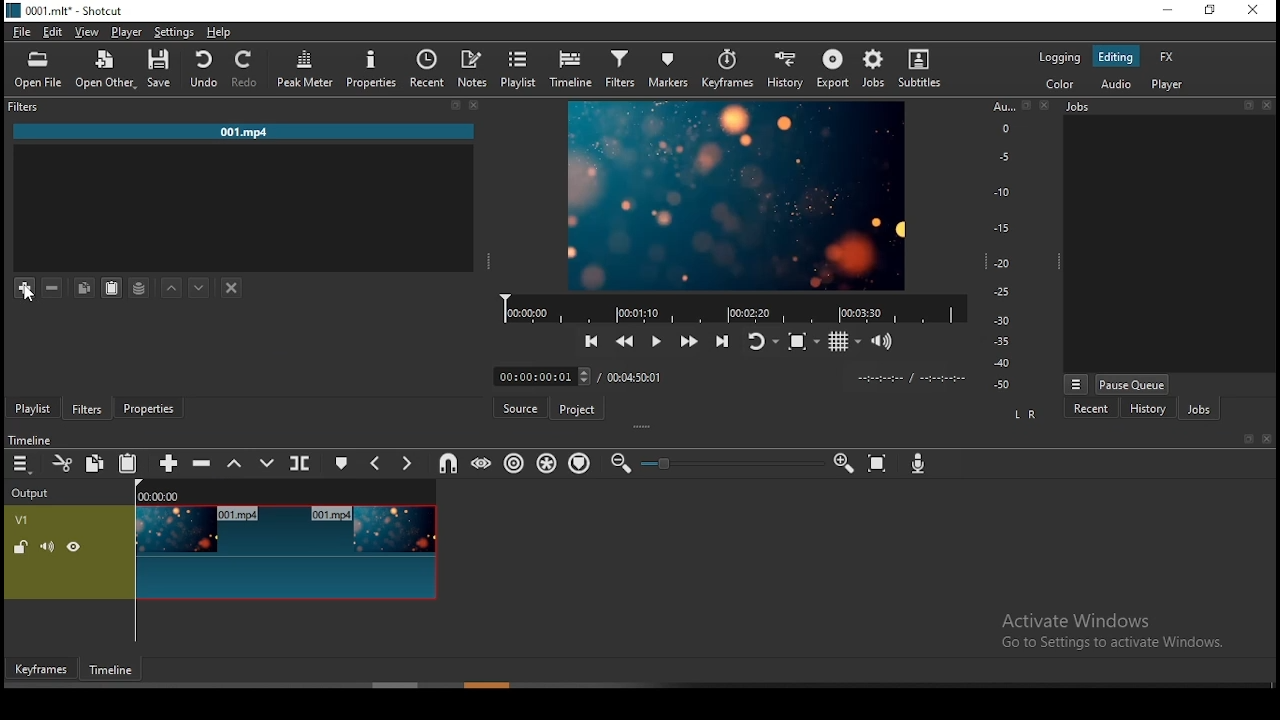  What do you see at coordinates (199, 288) in the screenshot?
I see `move filter down` at bounding box center [199, 288].